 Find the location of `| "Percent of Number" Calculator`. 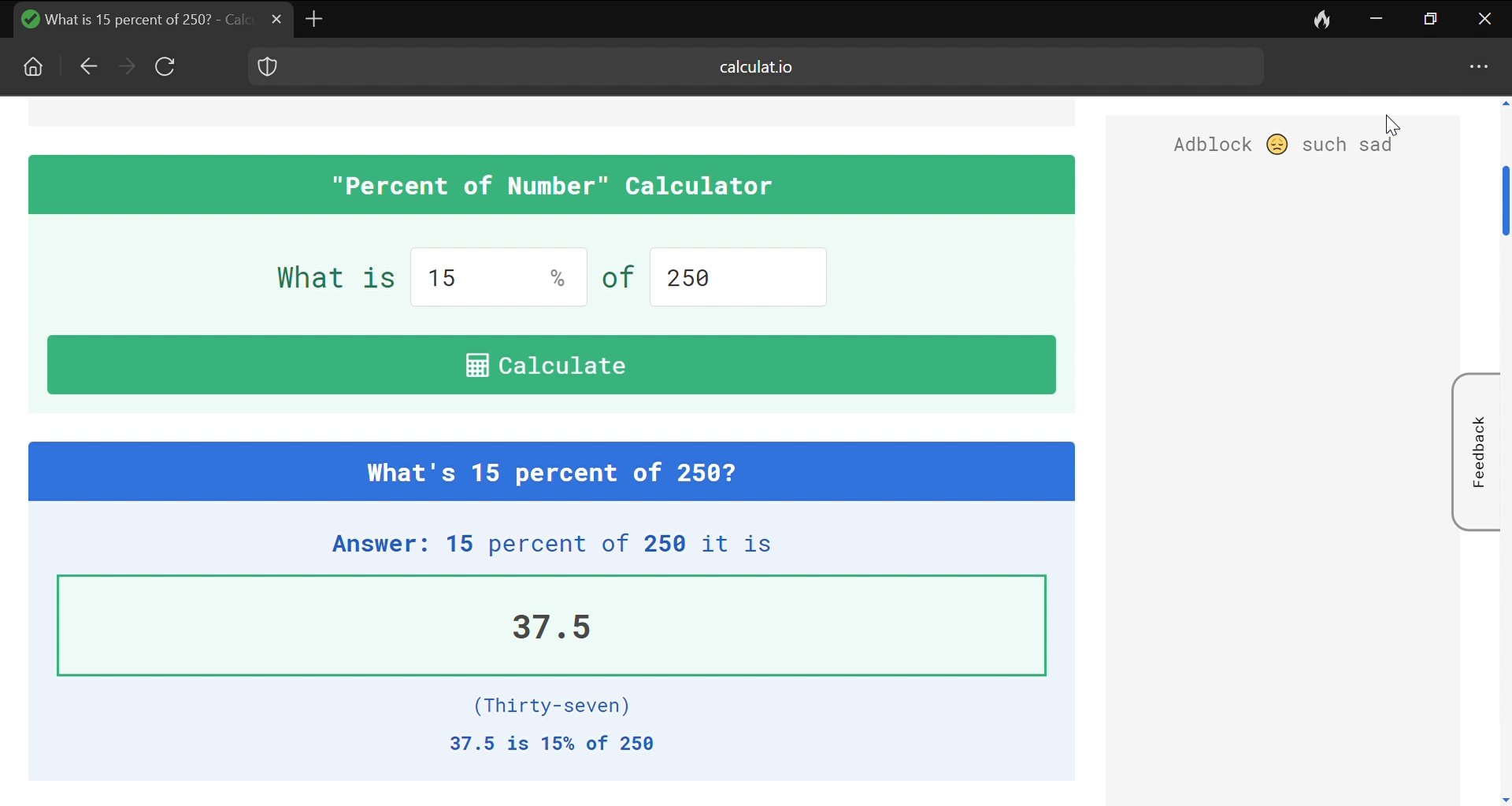

| "Percent of Number" Calculator is located at coordinates (552, 182).